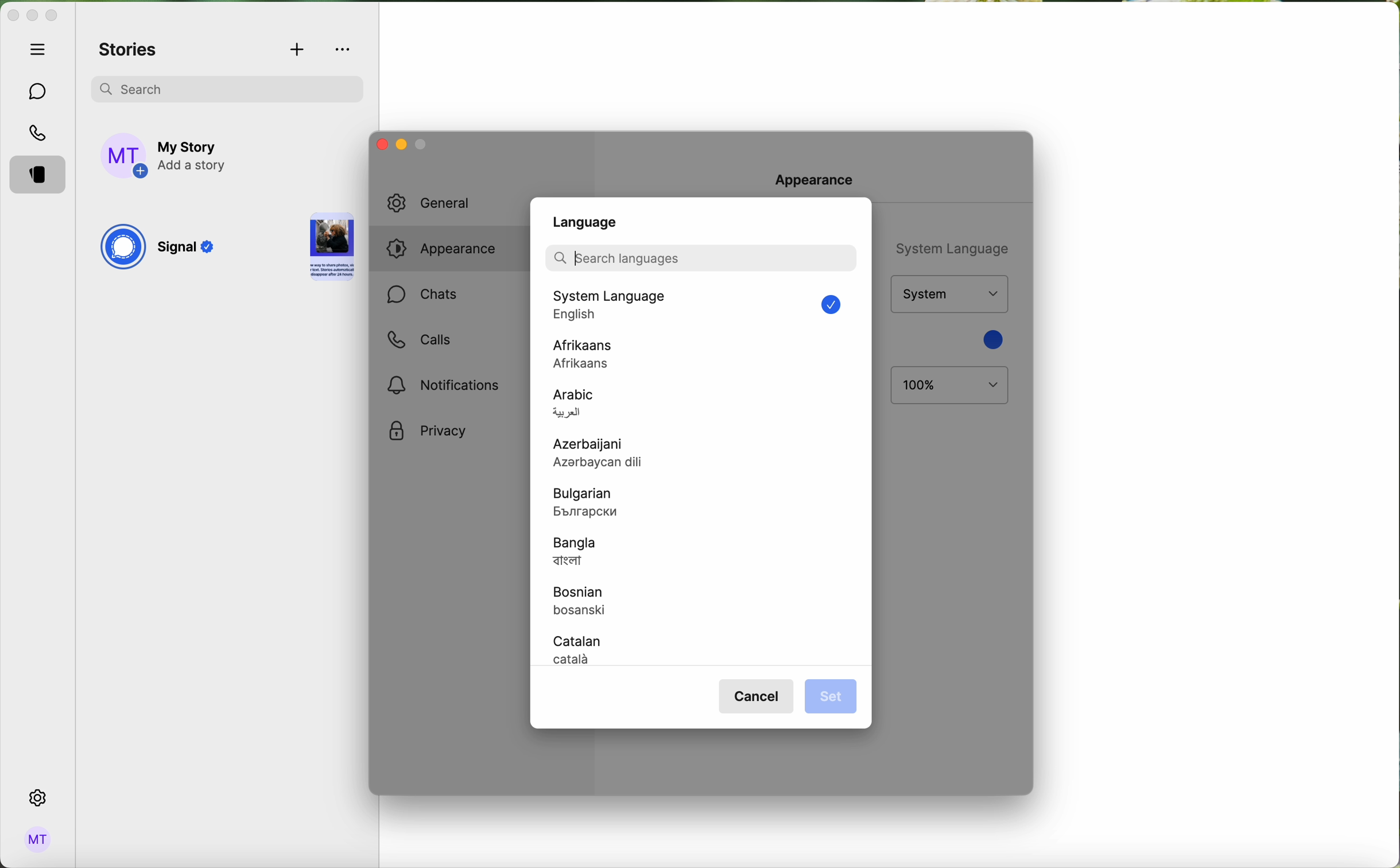 The image size is (1400, 868). What do you see at coordinates (705, 307) in the screenshot?
I see `system language selected` at bounding box center [705, 307].